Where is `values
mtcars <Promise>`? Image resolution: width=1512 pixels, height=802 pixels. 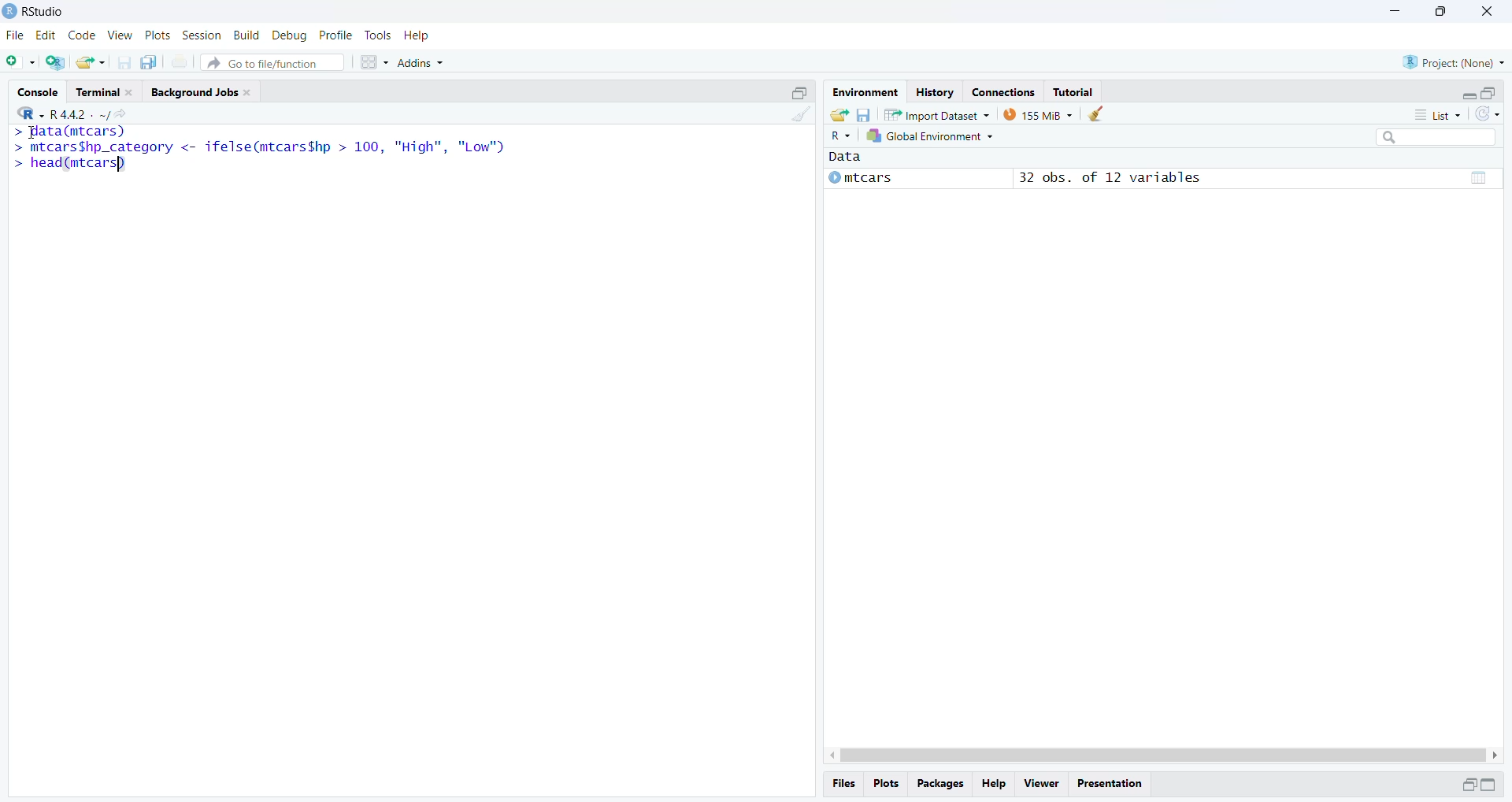 values
mtcars <Promise> is located at coordinates (1162, 173).